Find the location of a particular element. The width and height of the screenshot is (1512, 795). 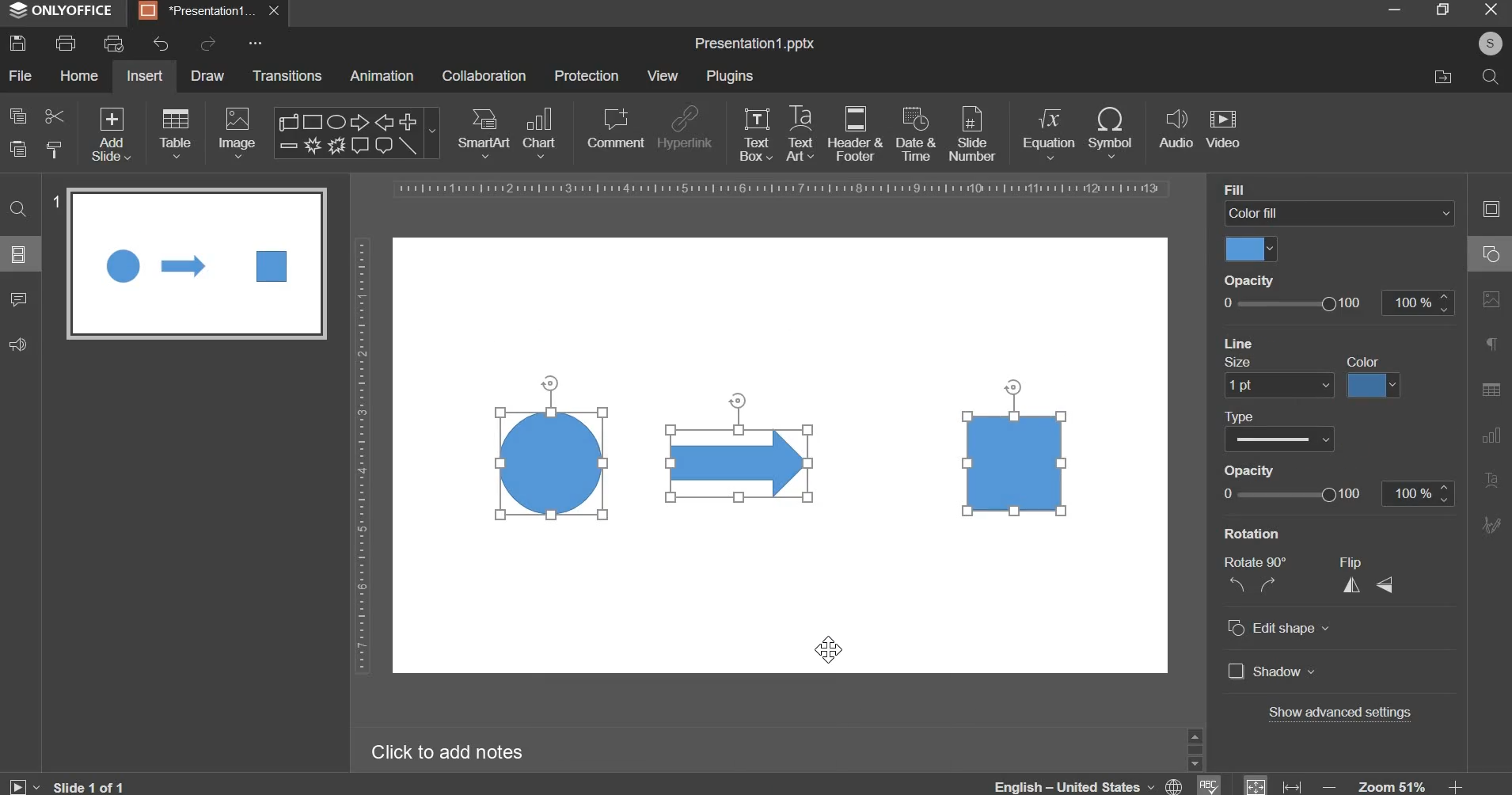

symbol is located at coordinates (1110, 131).